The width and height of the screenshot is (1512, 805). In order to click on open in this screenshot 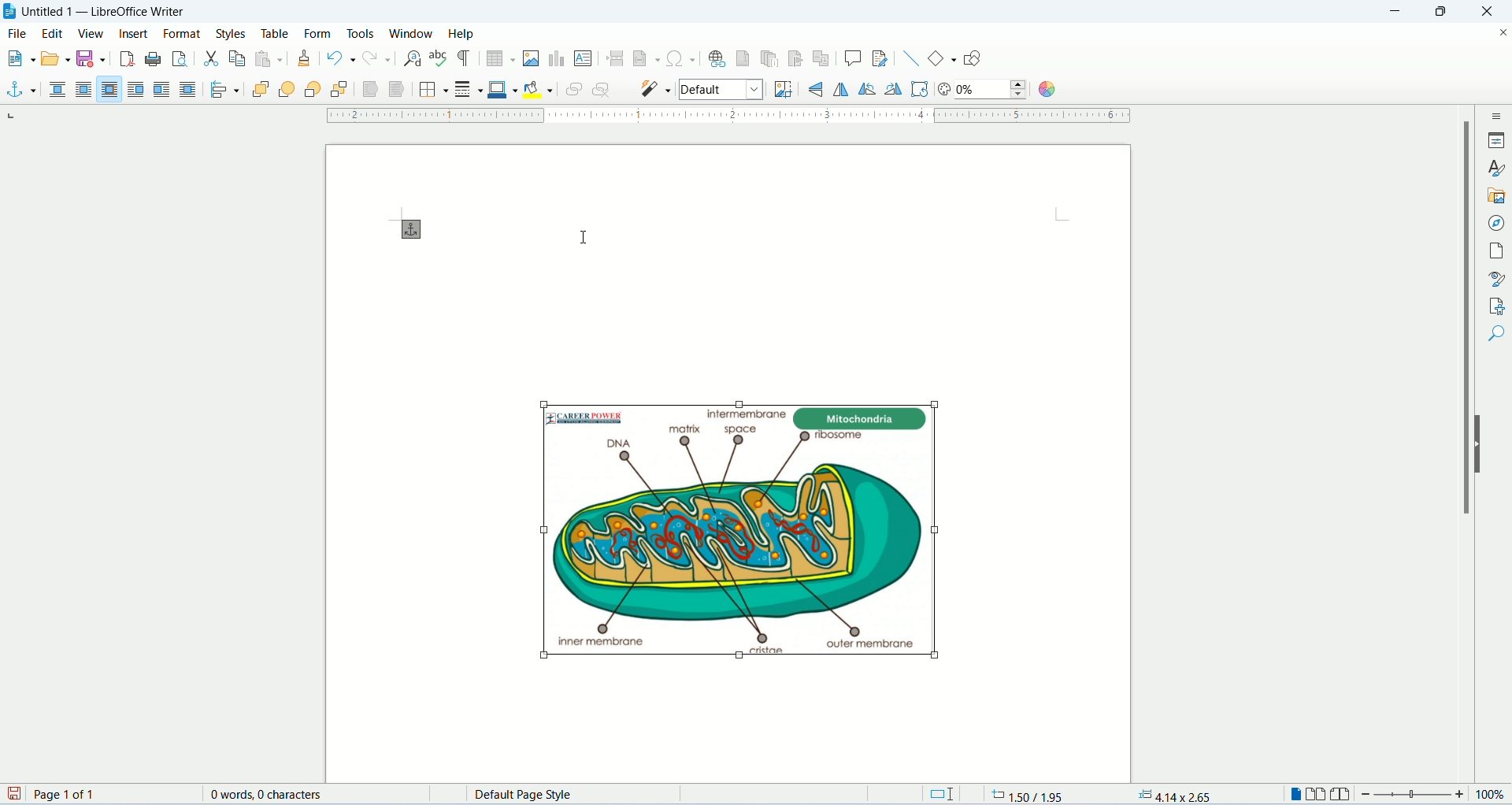, I will do `click(55, 57)`.